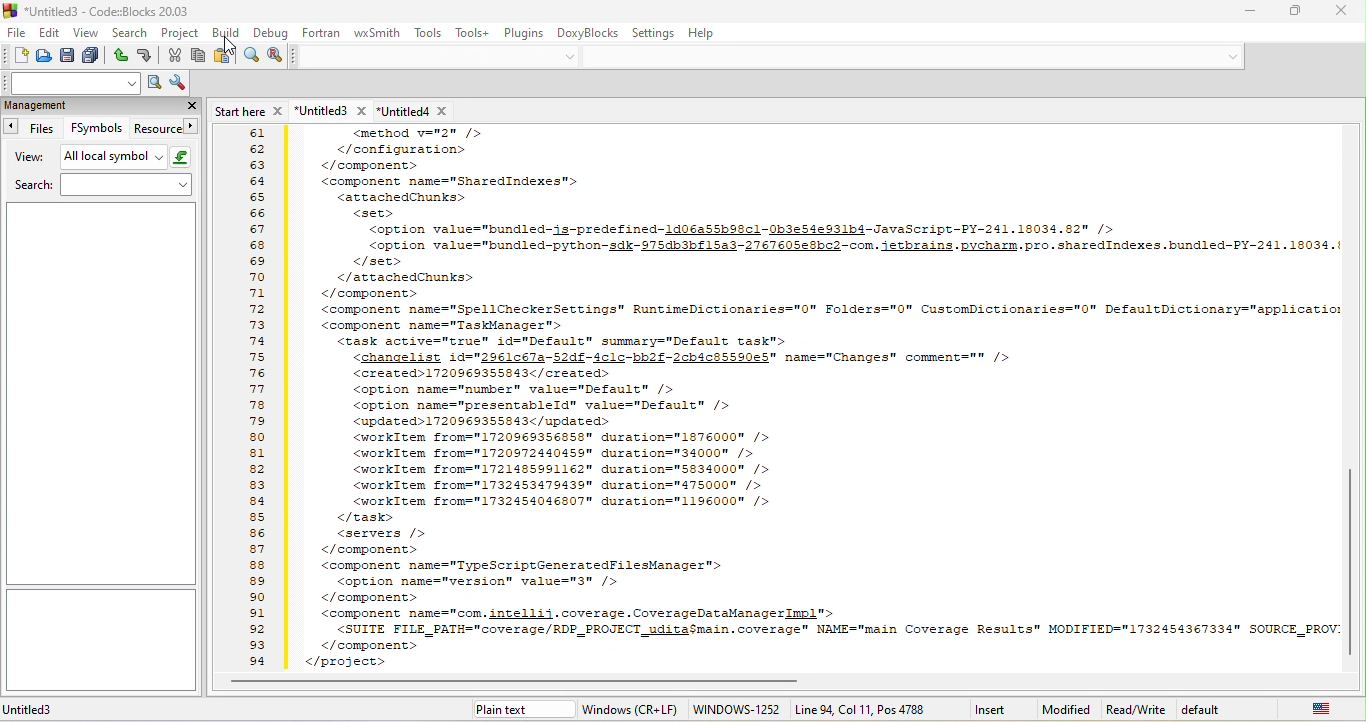 This screenshot has width=1366, height=722. Describe the element at coordinates (1250, 13) in the screenshot. I see `minimize` at that location.